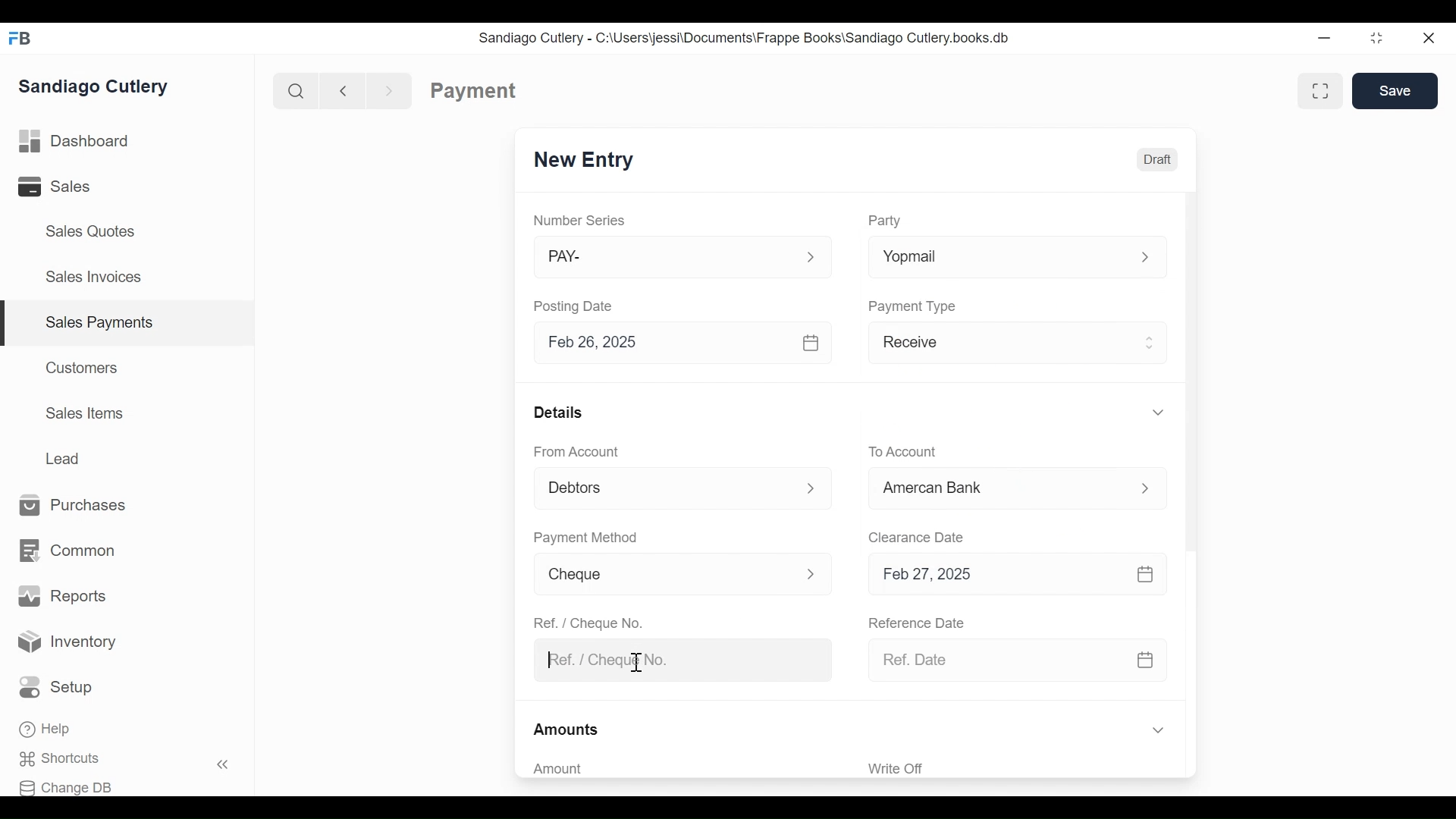 This screenshot has width=1456, height=819. What do you see at coordinates (69, 759) in the screenshot?
I see `Shortcuts` at bounding box center [69, 759].